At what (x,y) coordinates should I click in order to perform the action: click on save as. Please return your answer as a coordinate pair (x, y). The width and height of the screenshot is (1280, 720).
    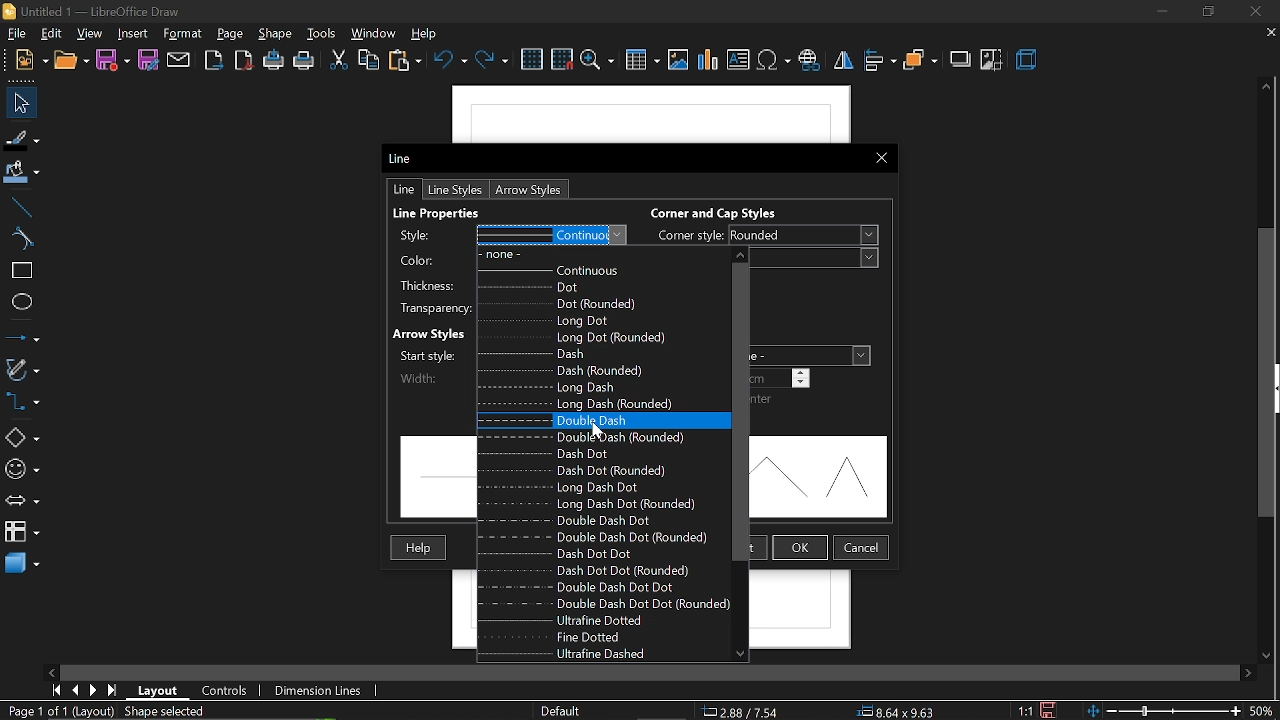
    Looking at the image, I should click on (148, 62).